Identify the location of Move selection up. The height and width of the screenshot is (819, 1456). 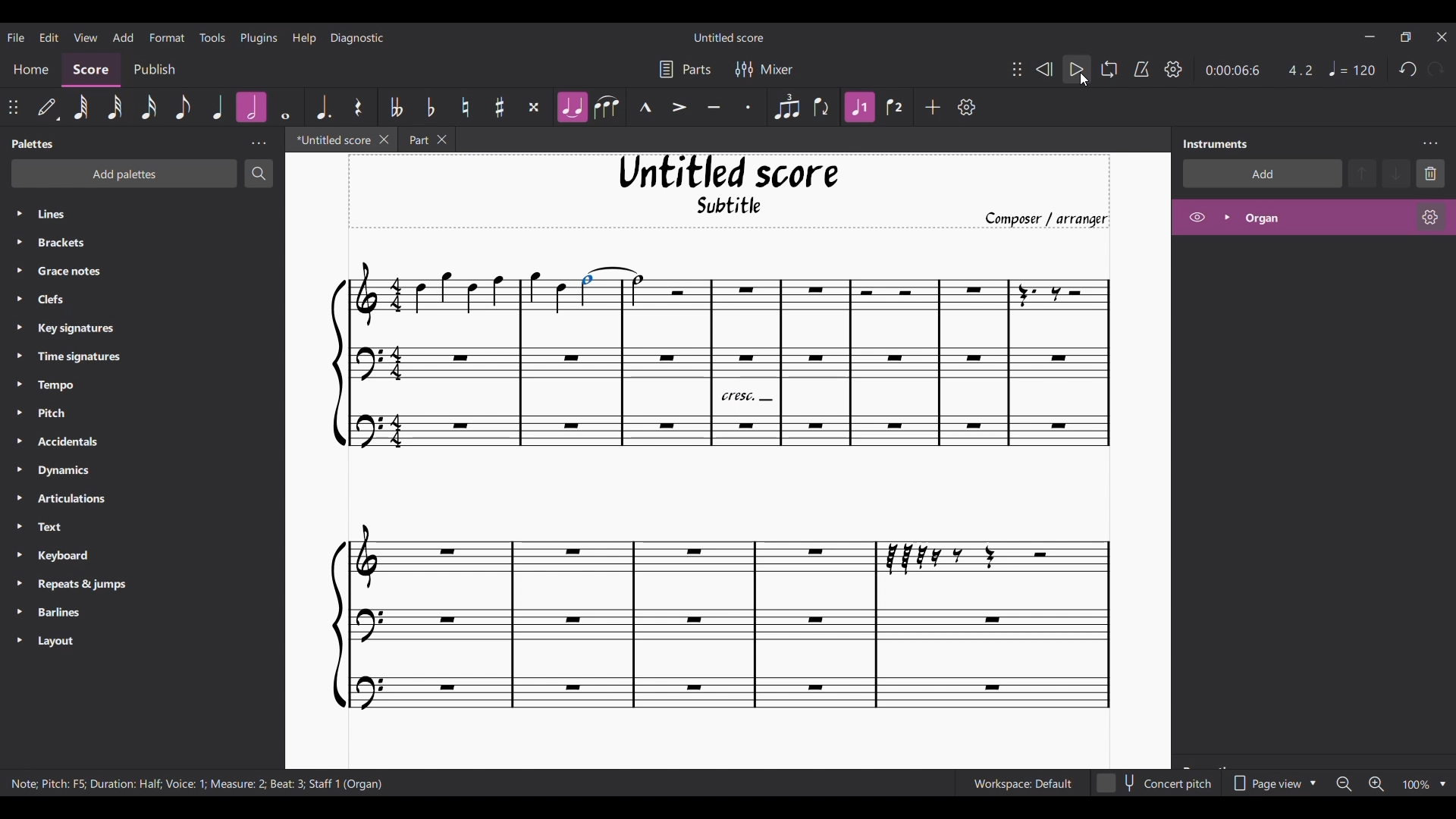
(1362, 174).